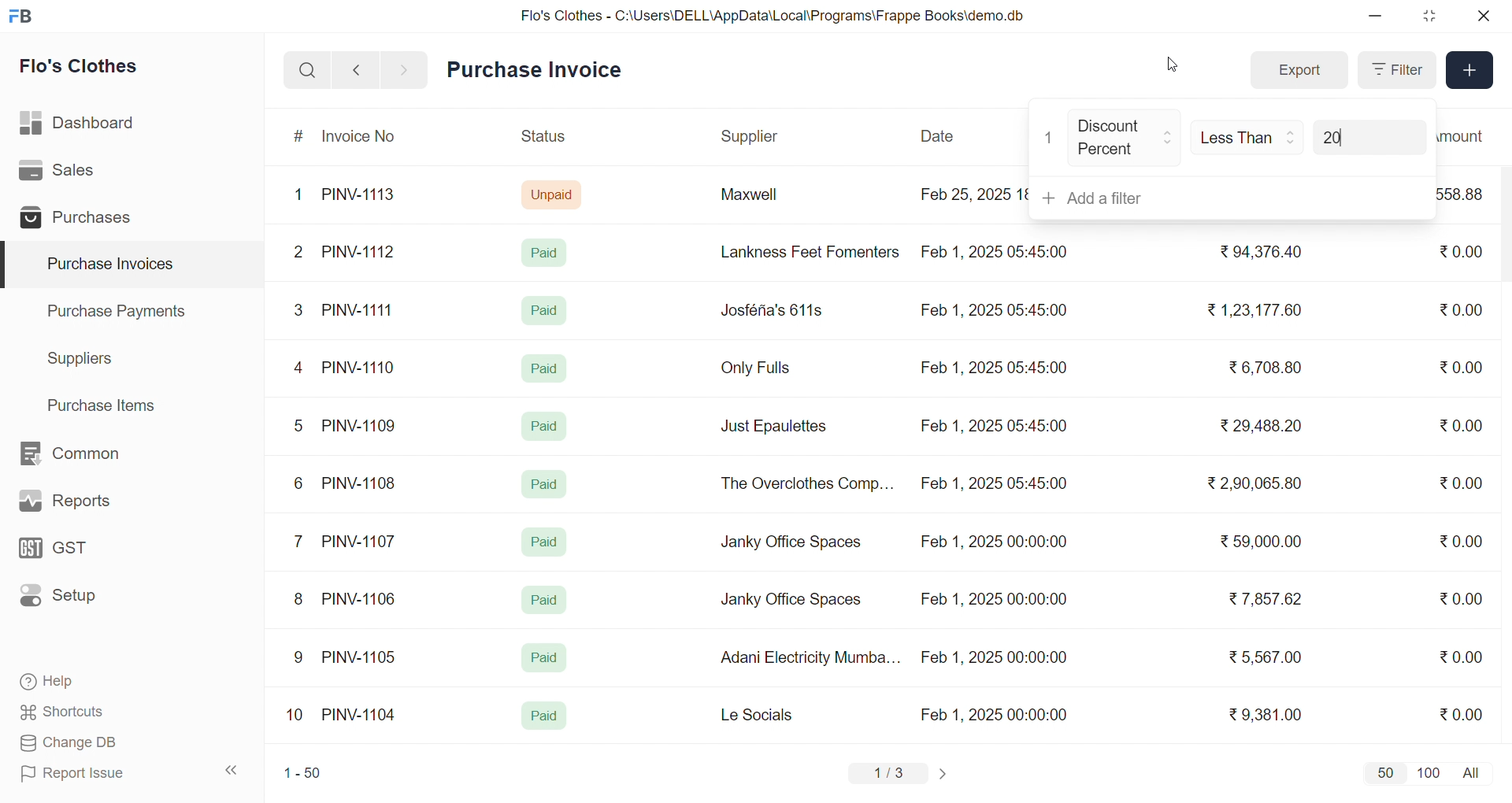 The image size is (1512, 803). Describe the element at coordinates (992, 312) in the screenshot. I see `Feb 1, 2025 05:45:00` at that location.